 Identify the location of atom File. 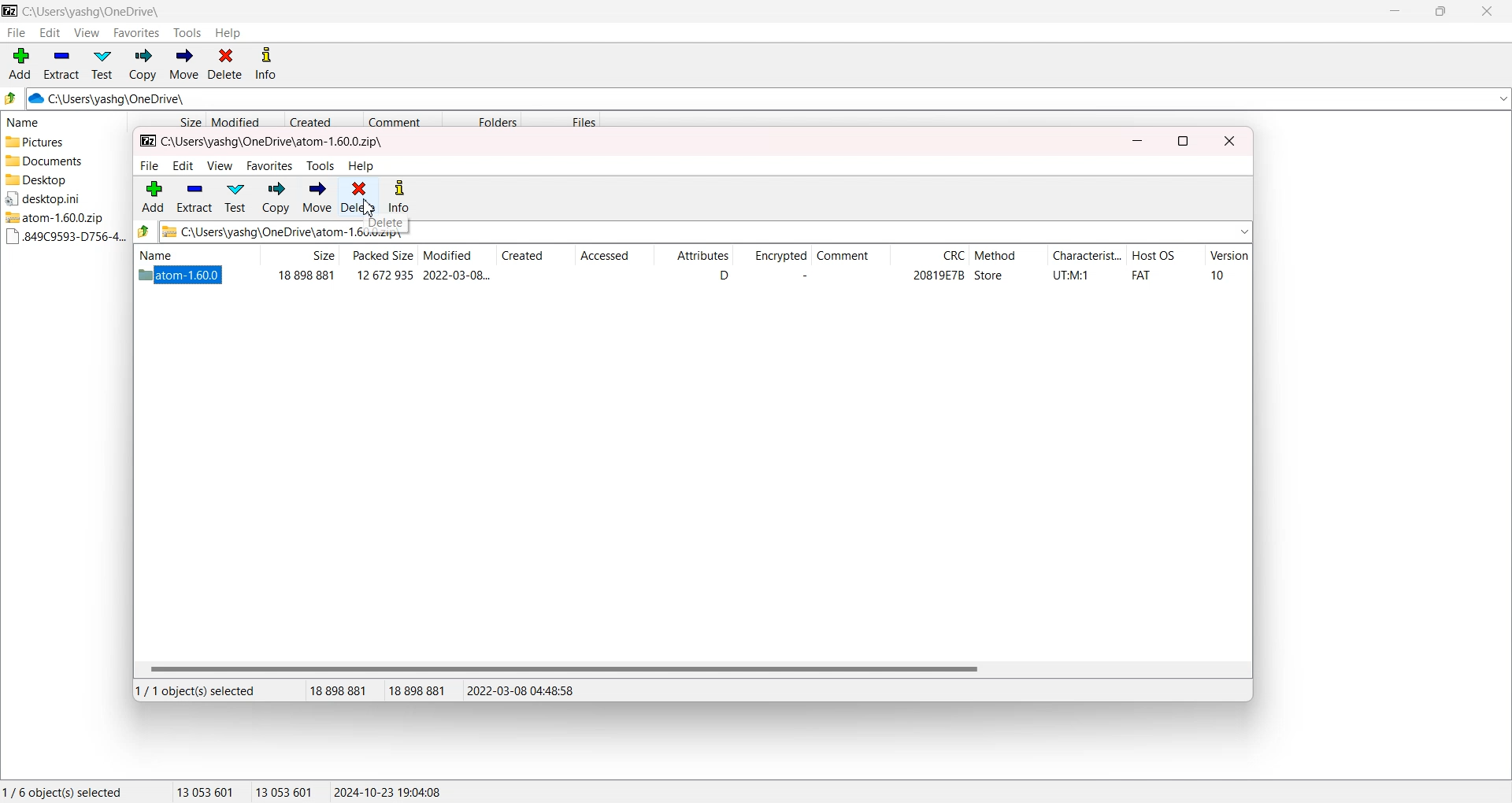
(181, 277).